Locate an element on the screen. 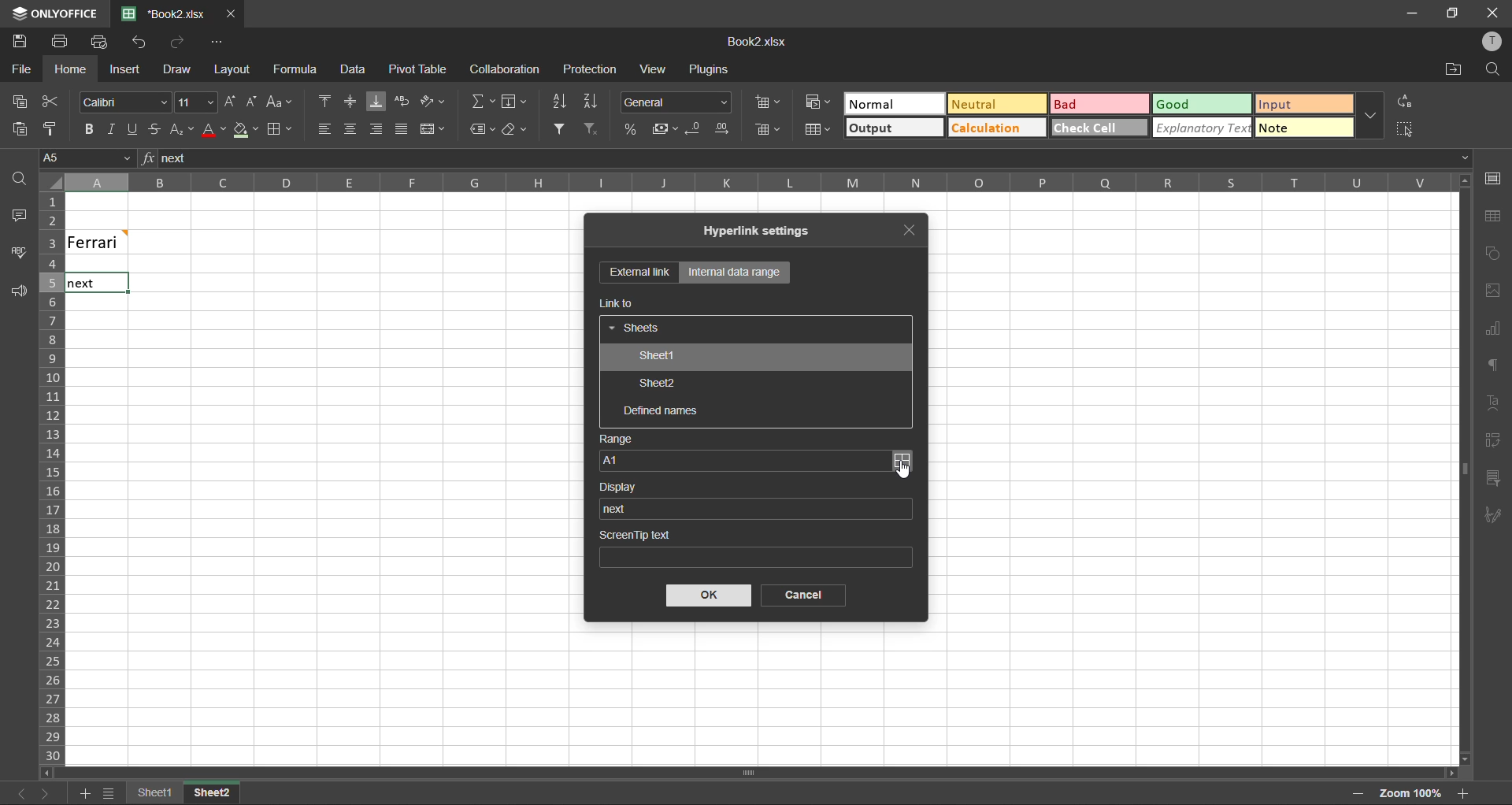  clear filter is located at coordinates (593, 128).